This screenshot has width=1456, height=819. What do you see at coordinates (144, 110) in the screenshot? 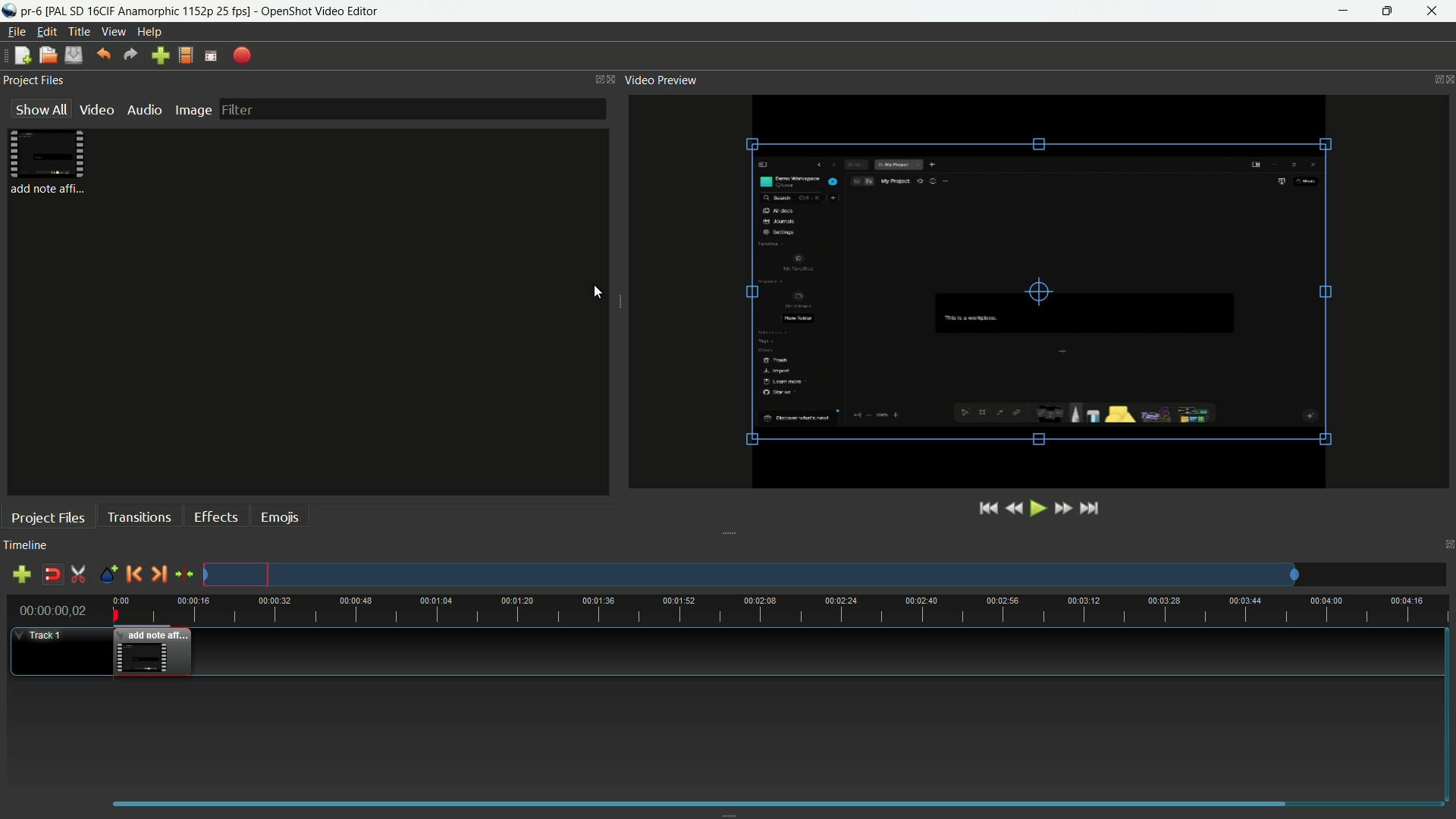
I see `audio` at bounding box center [144, 110].